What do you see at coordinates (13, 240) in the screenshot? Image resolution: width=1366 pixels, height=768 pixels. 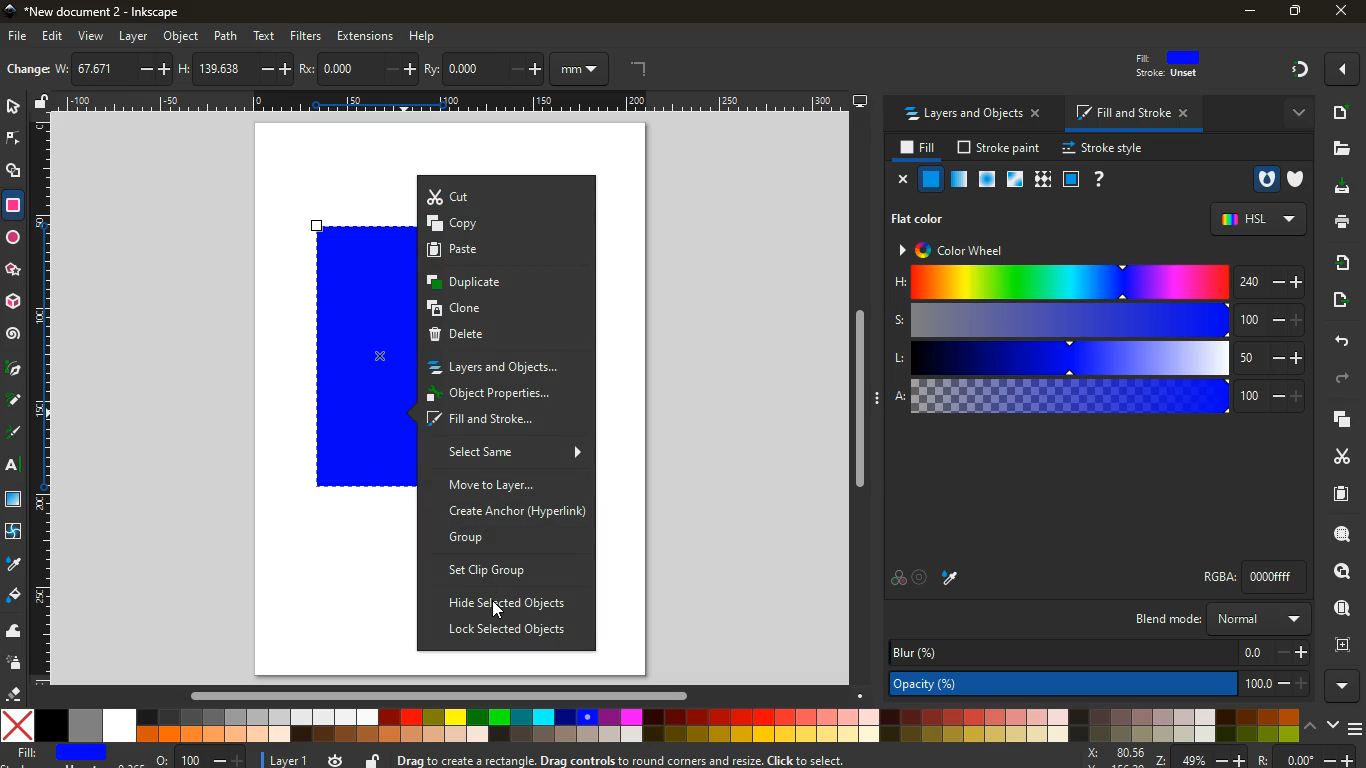 I see `` at bounding box center [13, 240].